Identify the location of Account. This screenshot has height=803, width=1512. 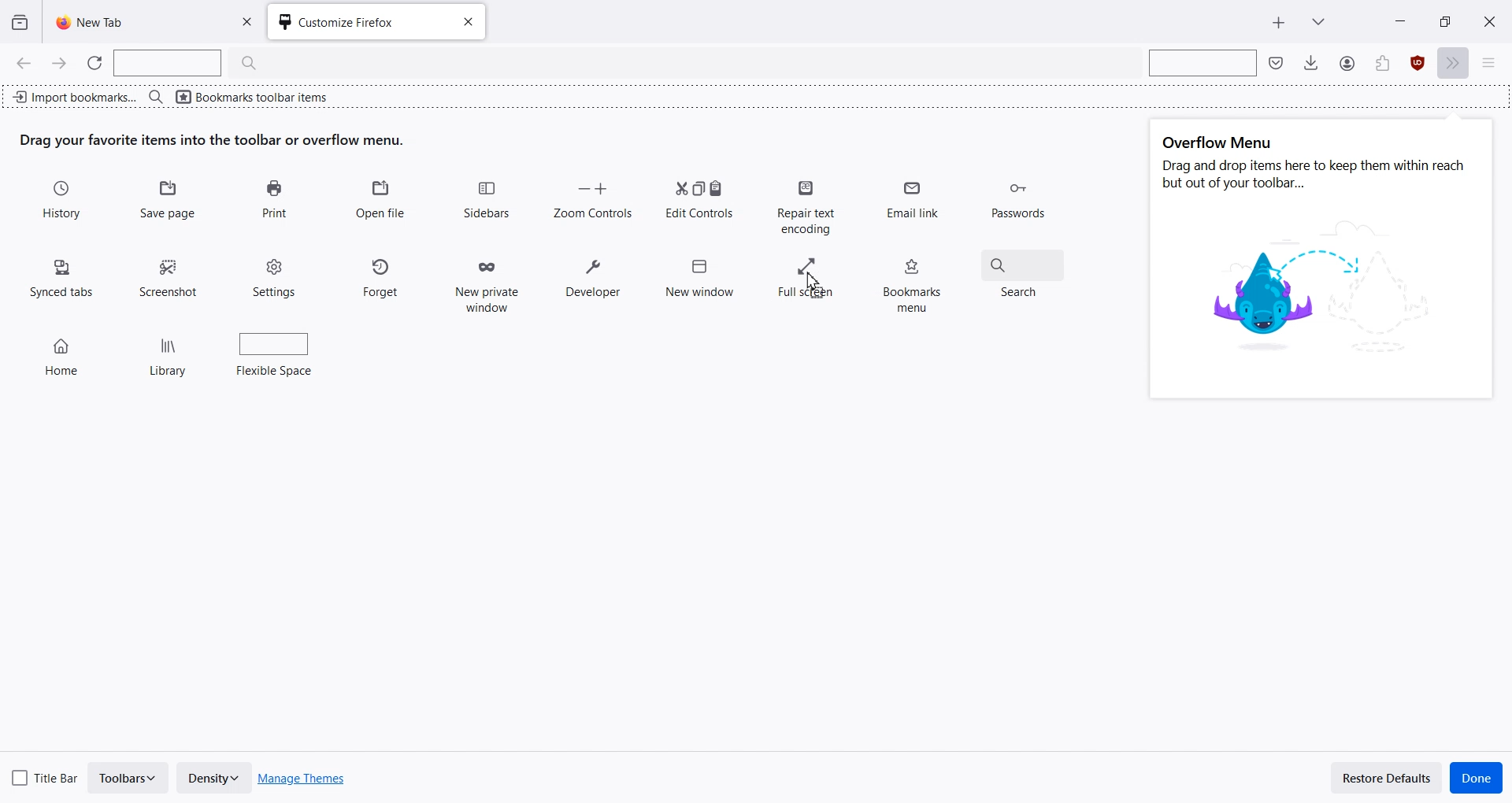
(1382, 64).